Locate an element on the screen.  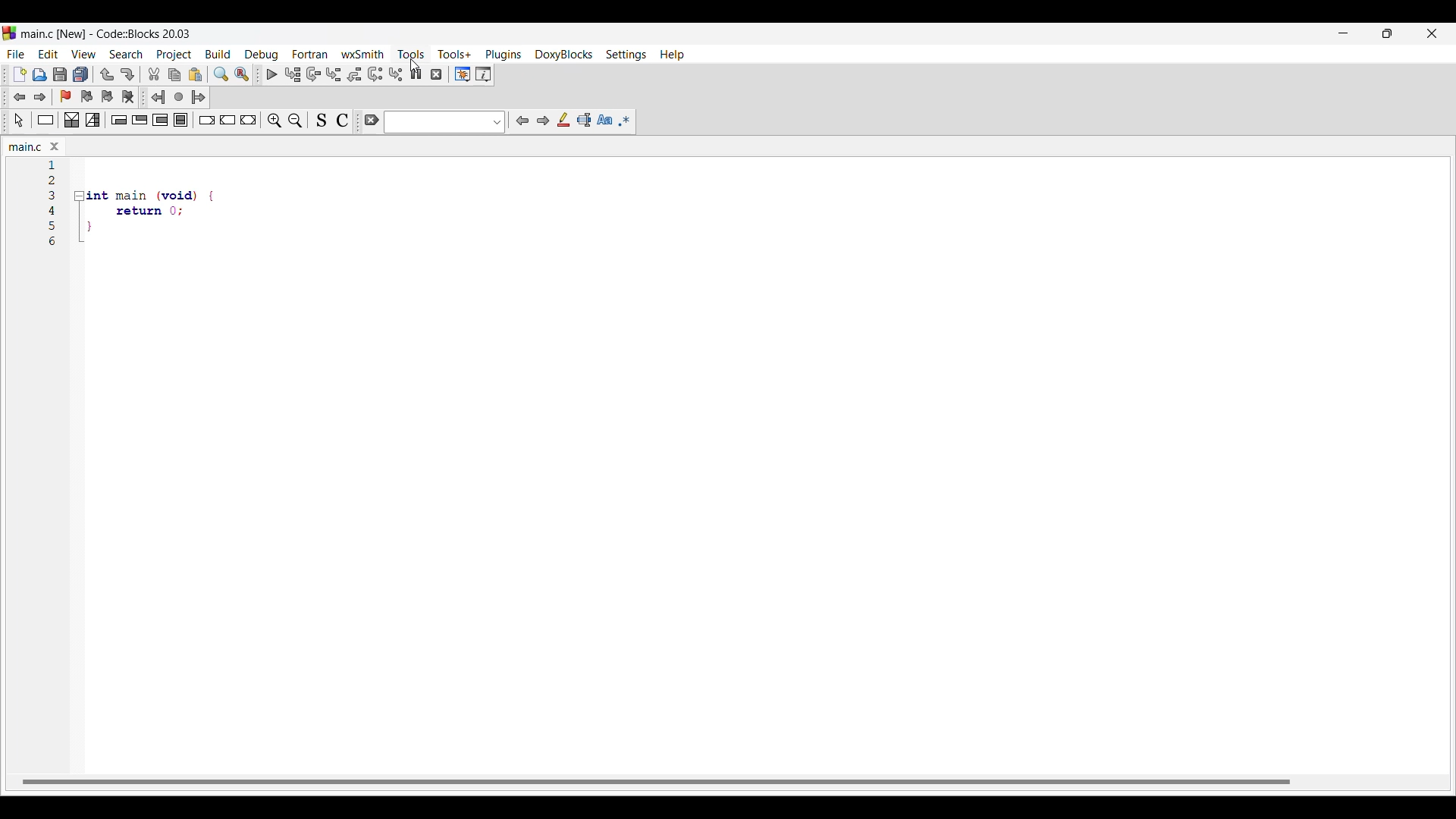
Debug/Continue is located at coordinates (271, 74).